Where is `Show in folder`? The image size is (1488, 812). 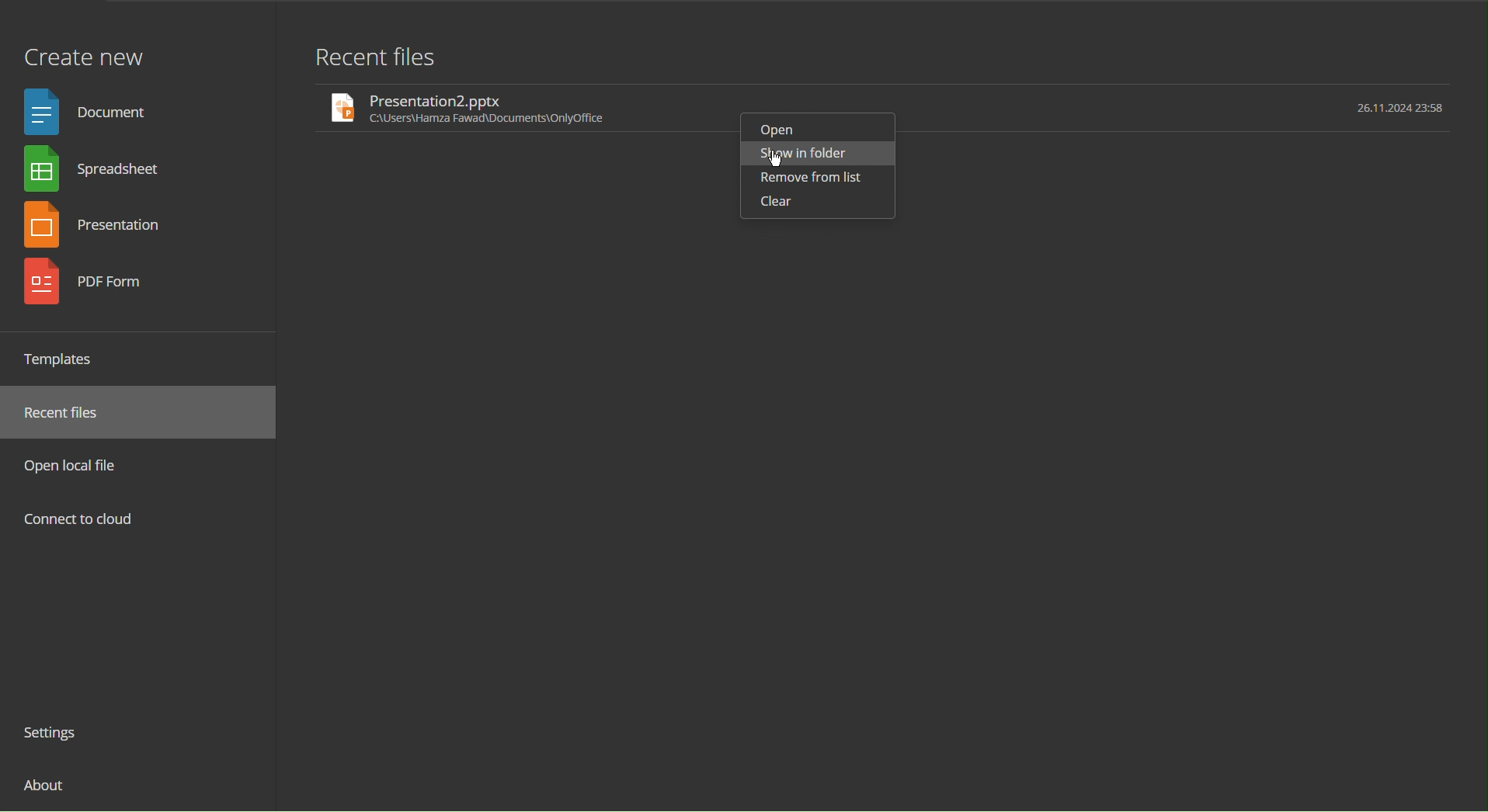
Show in folder is located at coordinates (803, 154).